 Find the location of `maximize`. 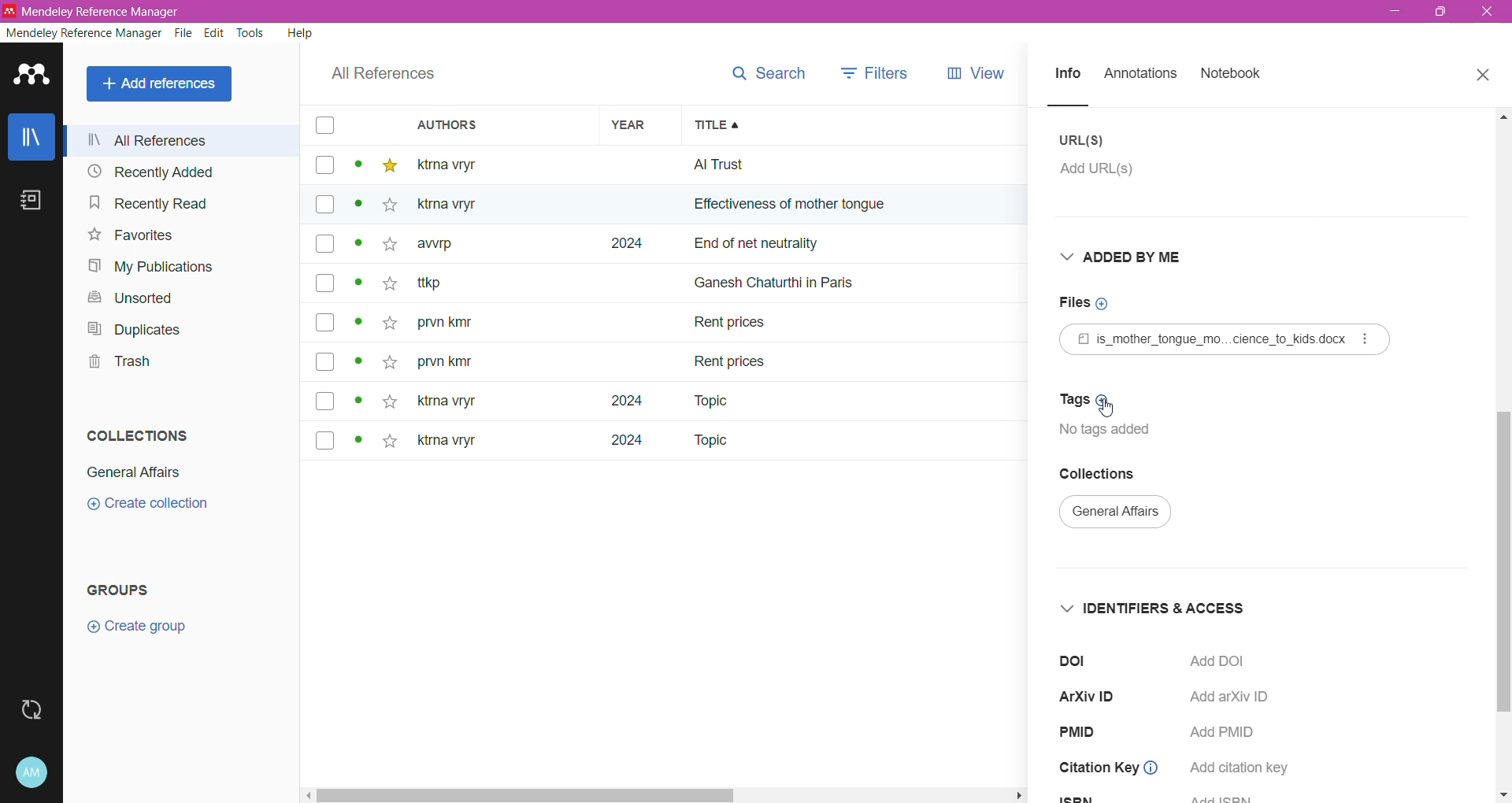

maximize is located at coordinates (1436, 17).